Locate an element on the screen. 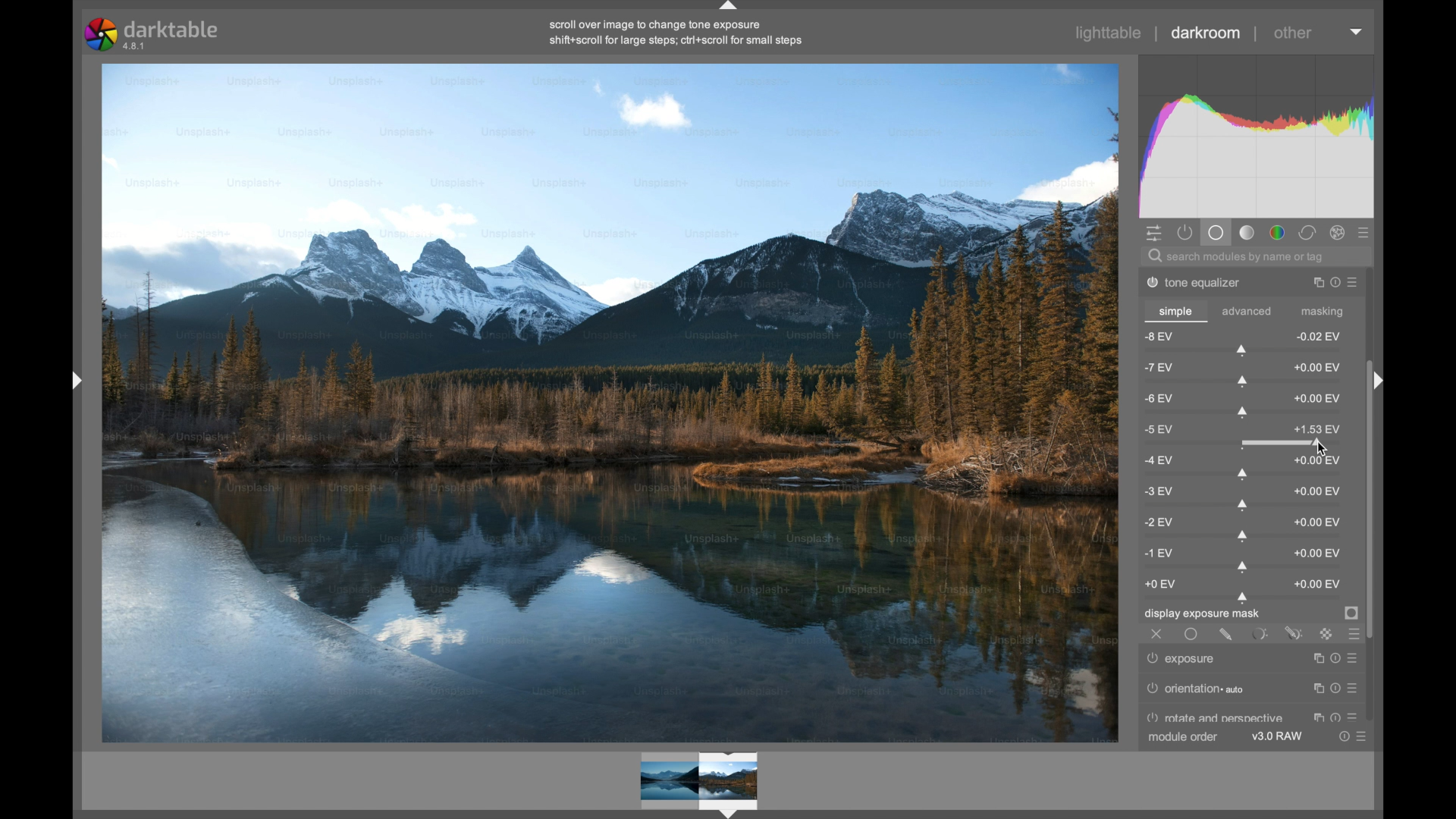  lighttable is located at coordinates (1109, 33).